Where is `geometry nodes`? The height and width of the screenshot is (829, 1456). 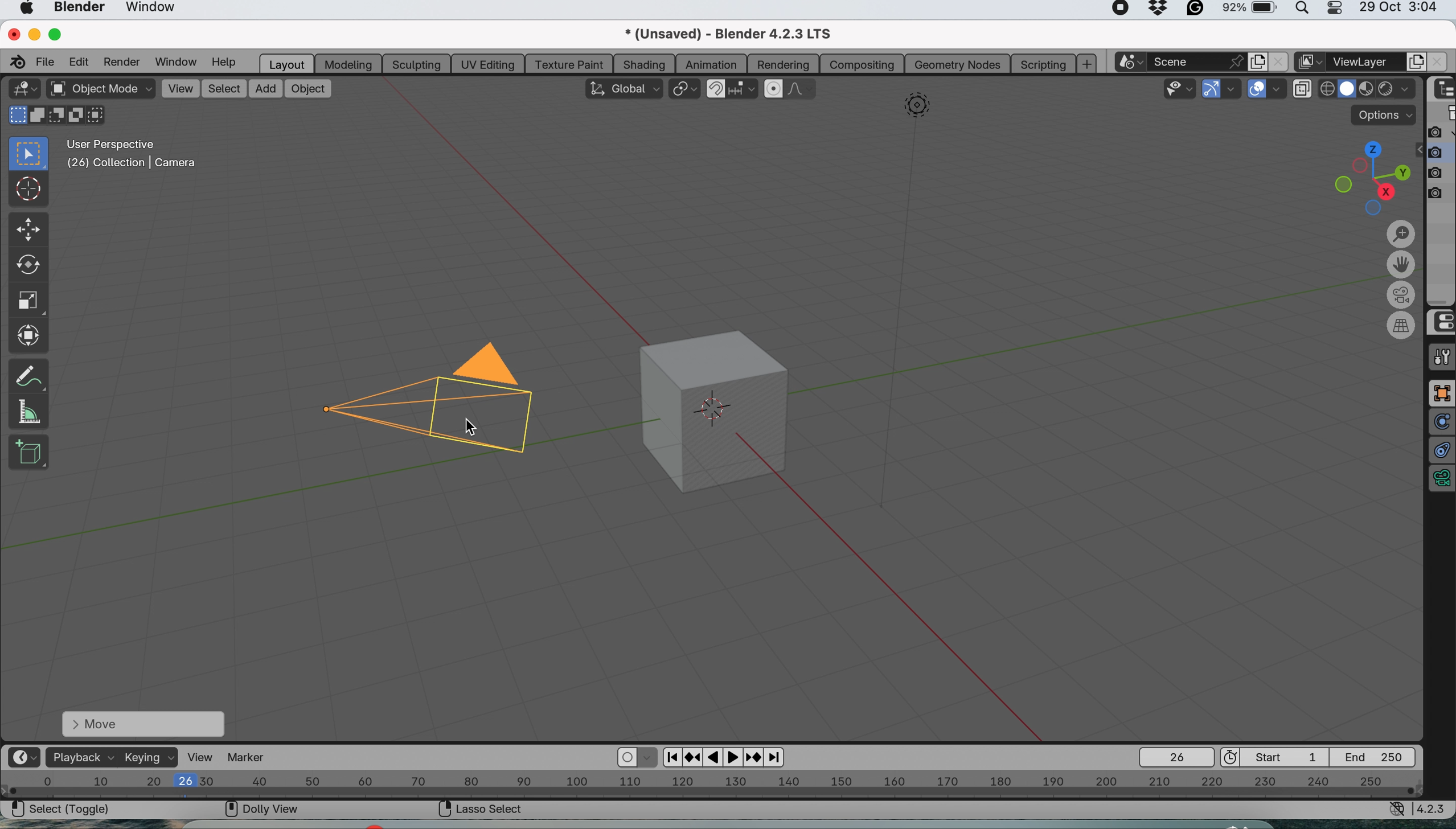 geometry nodes is located at coordinates (957, 64).